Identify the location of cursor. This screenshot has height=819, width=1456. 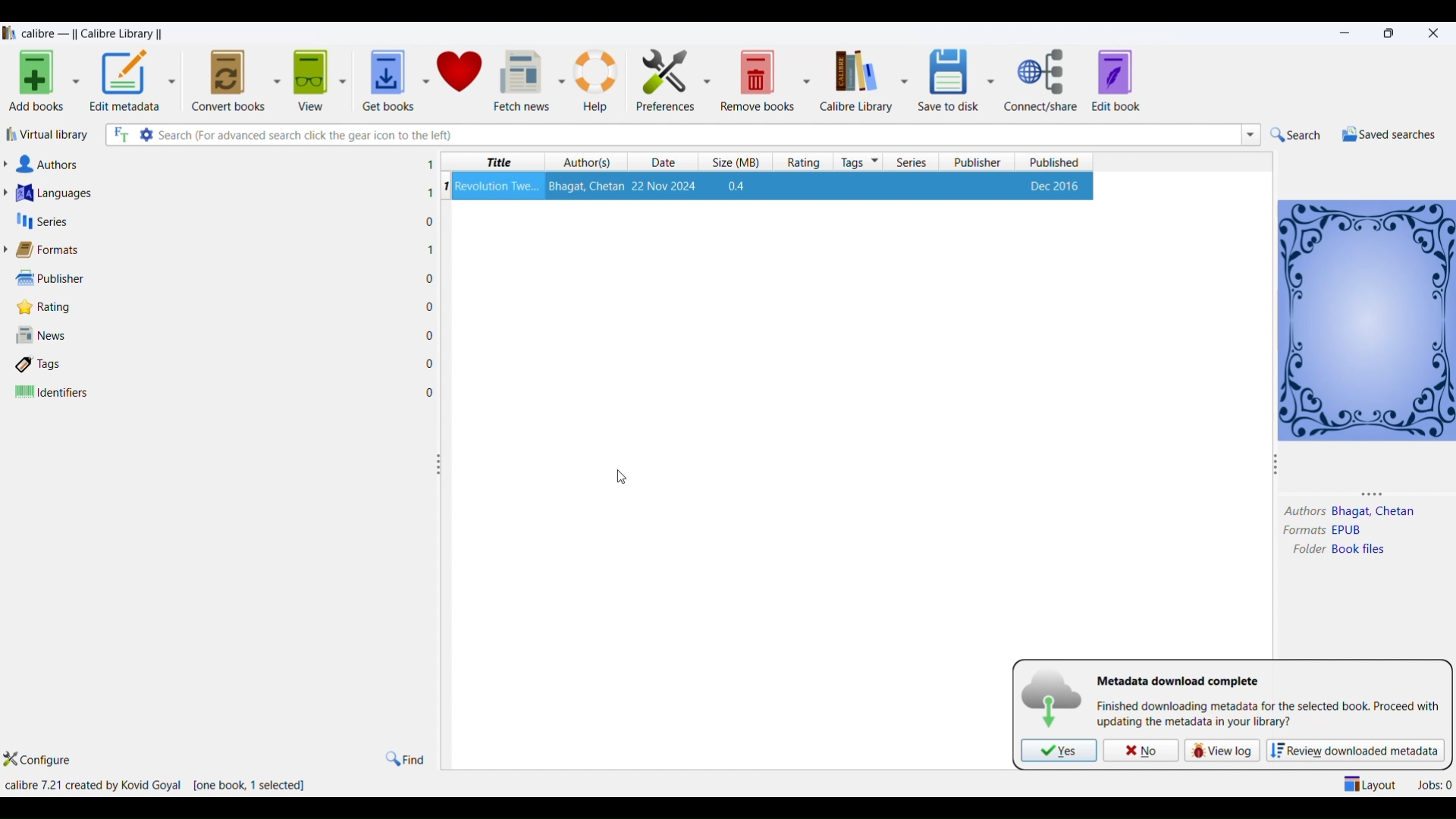
(626, 477).